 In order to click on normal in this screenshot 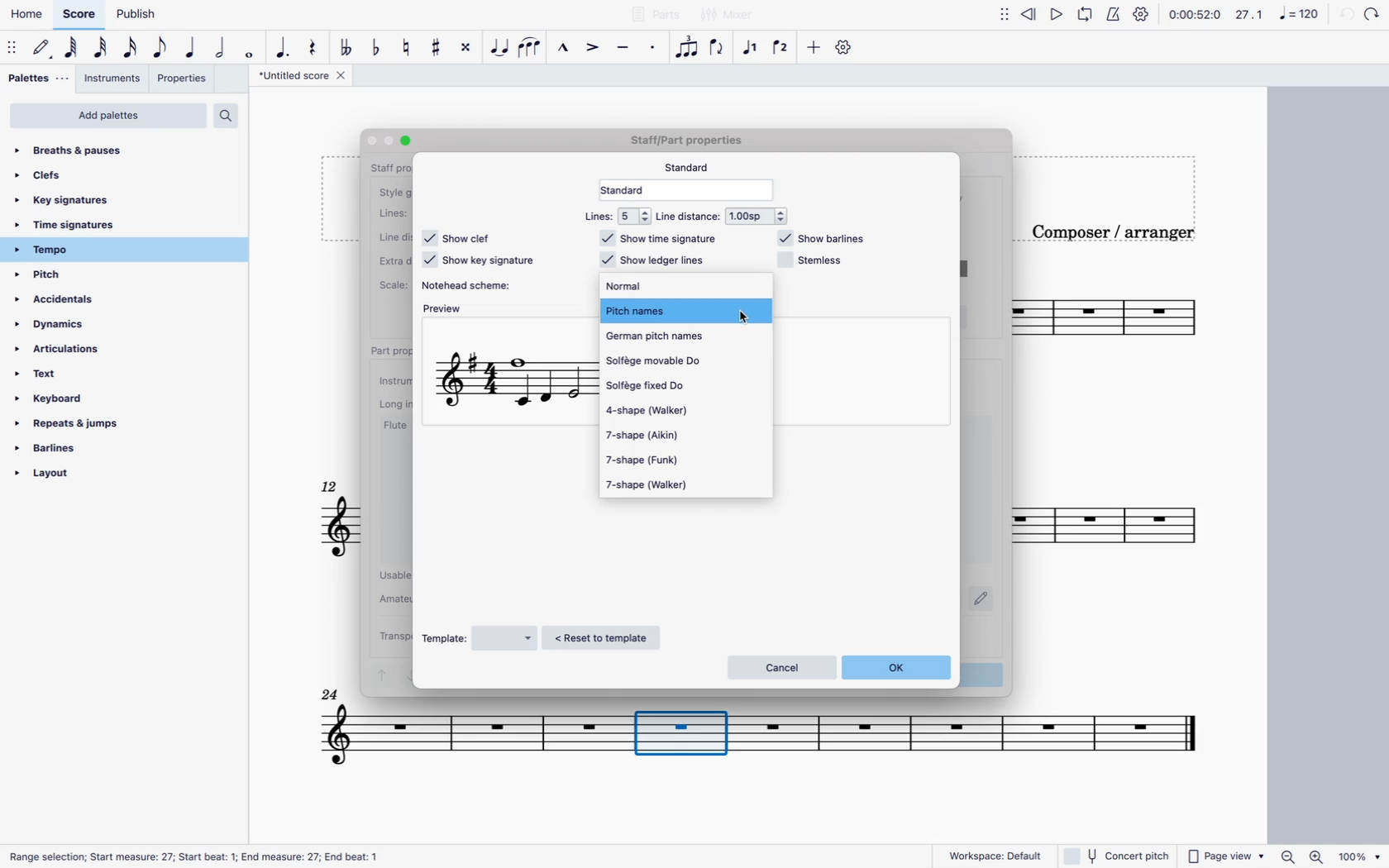, I will do `click(666, 287)`.